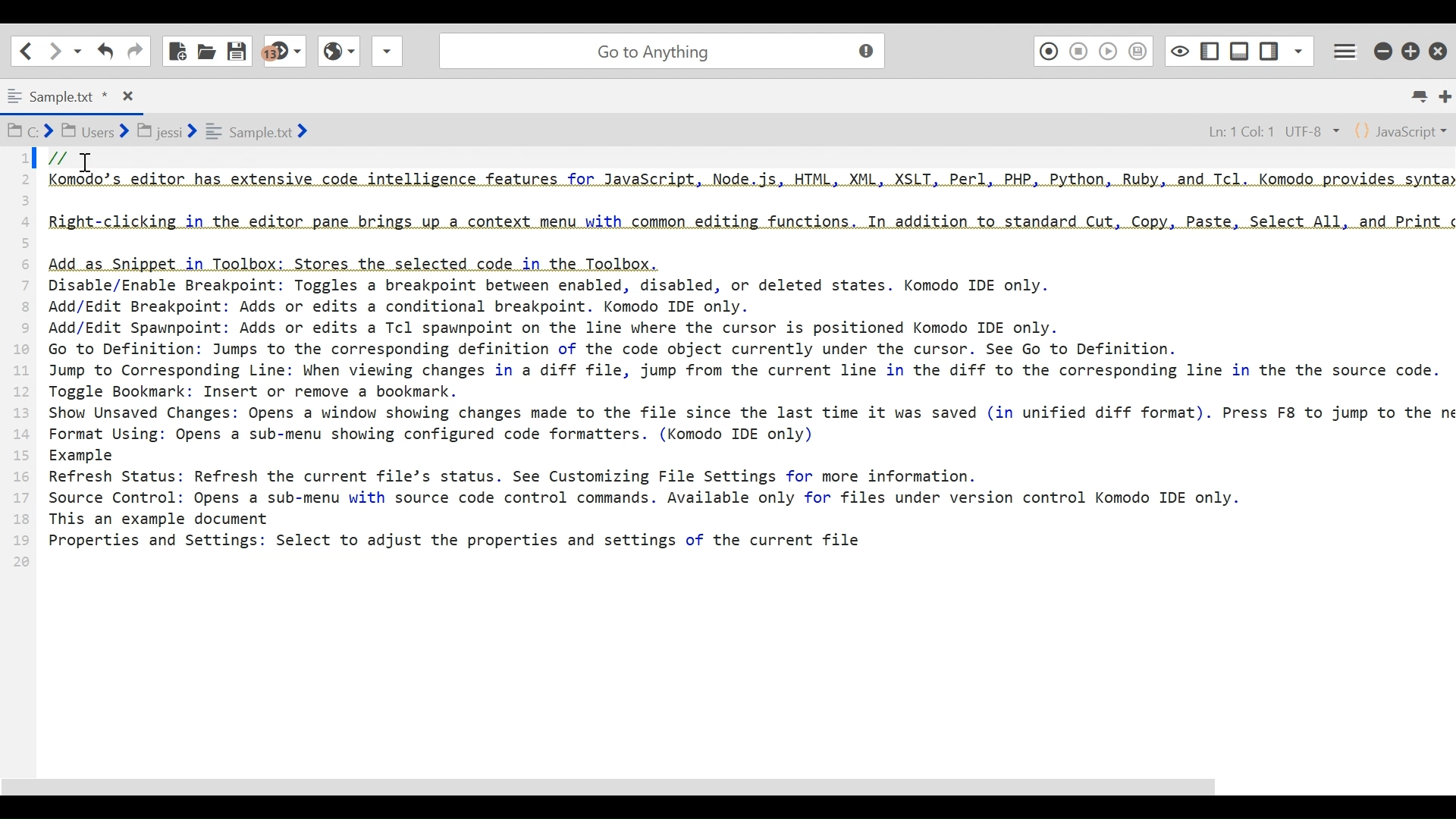 The height and width of the screenshot is (819, 1456). What do you see at coordinates (1178, 50) in the screenshot?
I see `Toggle Focus mode` at bounding box center [1178, 50].